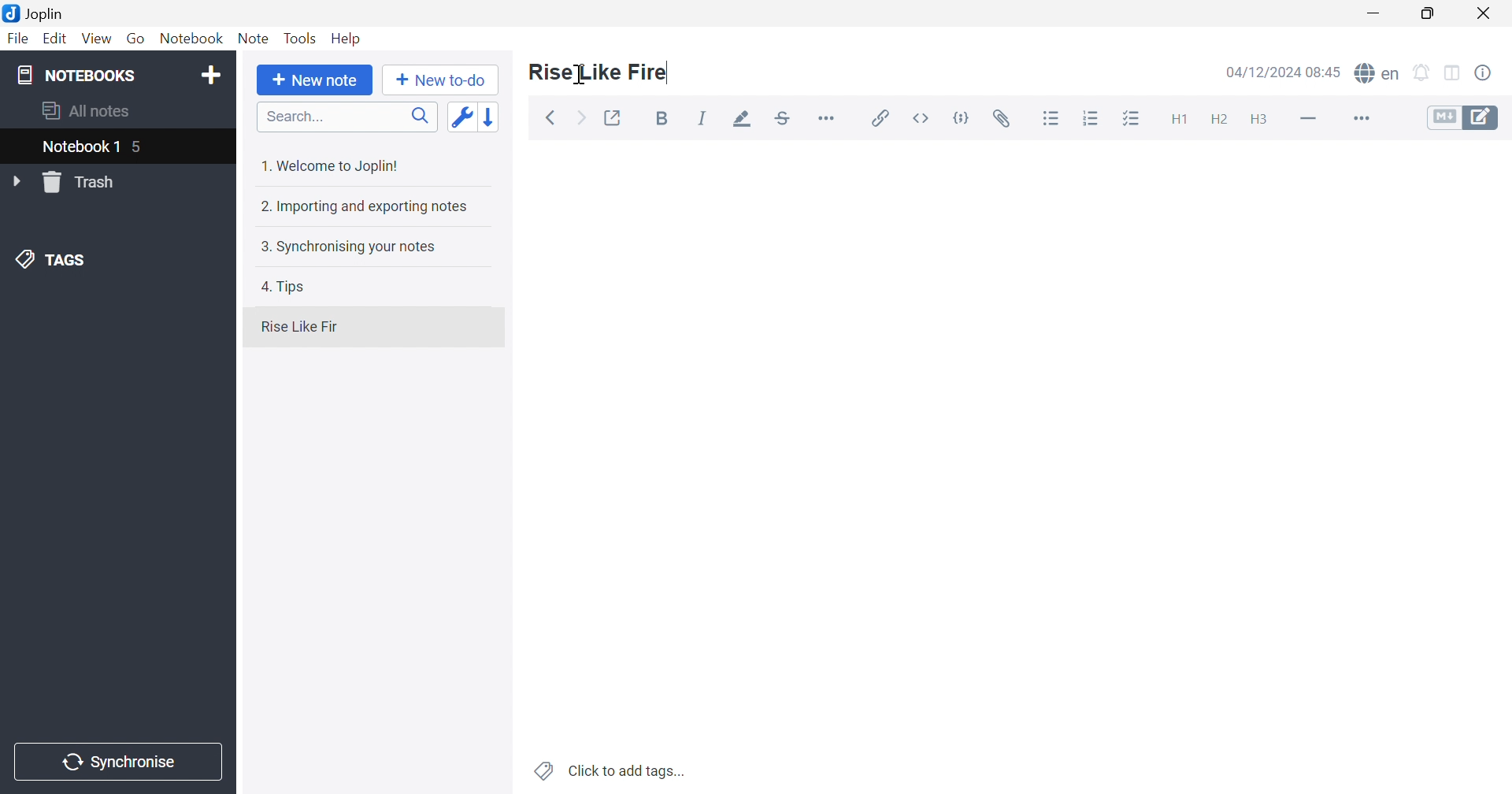  I want to click on Attach file, so click(1004, 118).